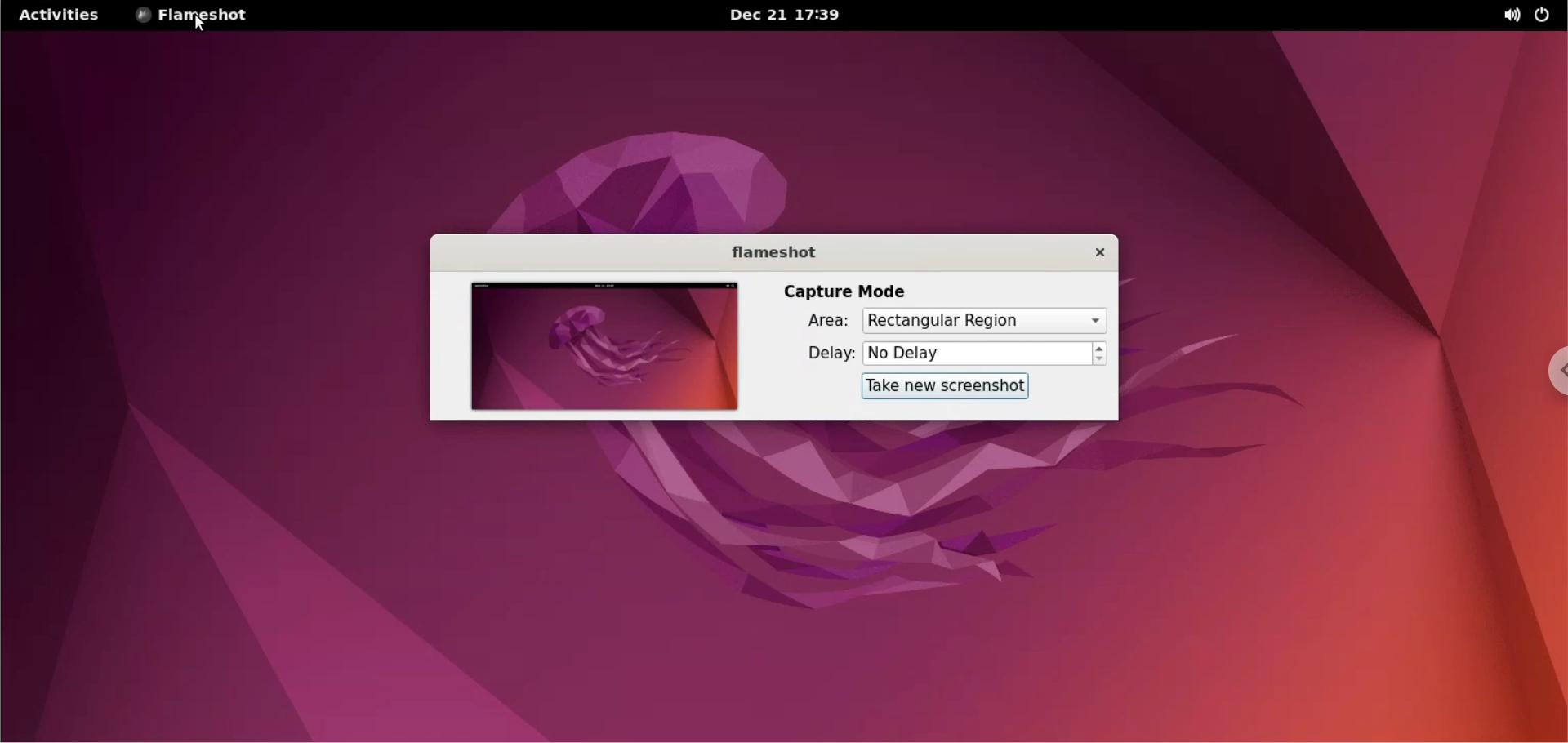  Describe the element at coordinates (600, 346) in the screenshot. I see `screenshot preview` at that location.